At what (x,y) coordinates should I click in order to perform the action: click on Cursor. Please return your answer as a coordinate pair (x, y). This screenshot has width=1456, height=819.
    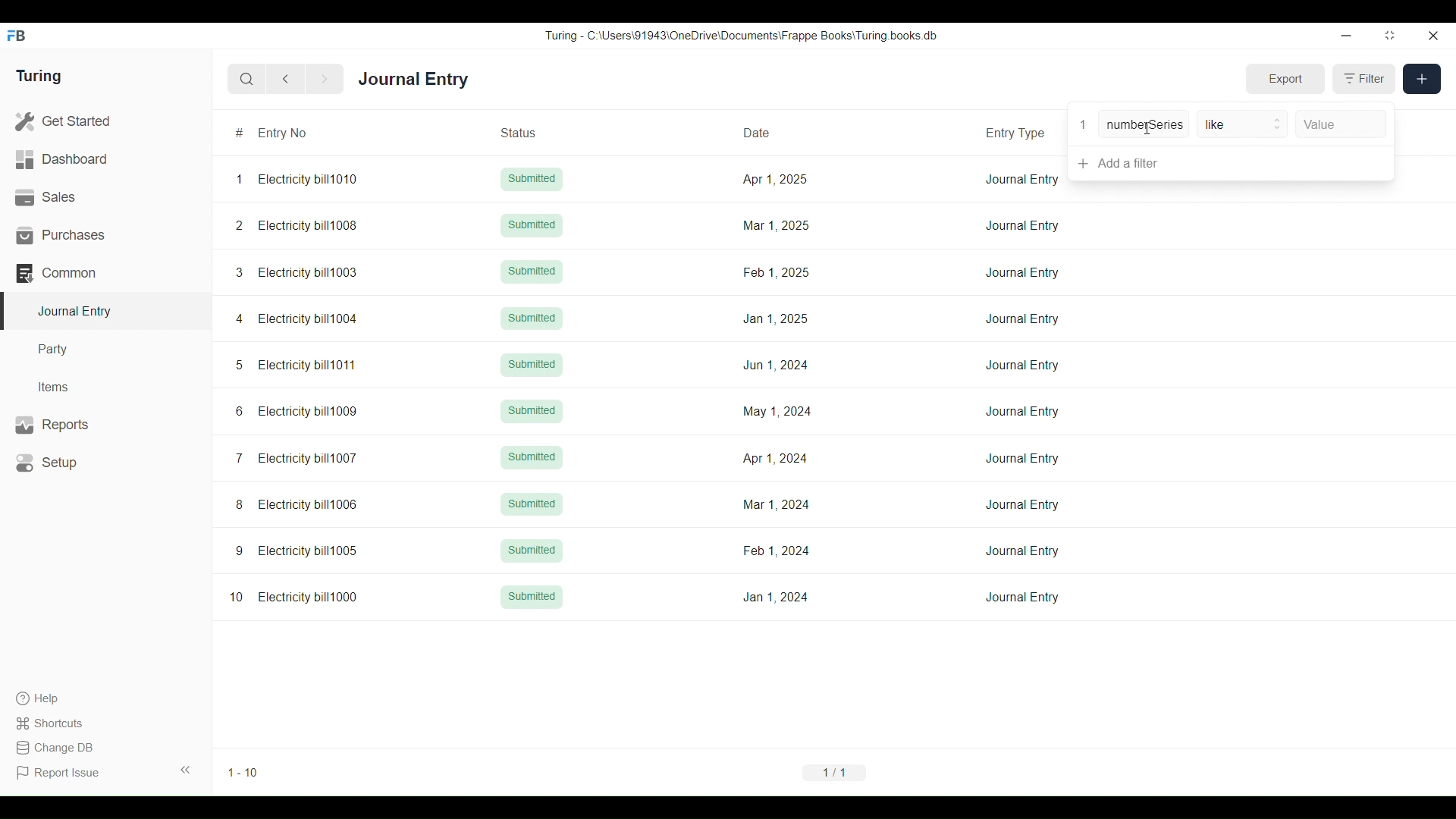
    Looking at the image, I should click on (1147, 127).